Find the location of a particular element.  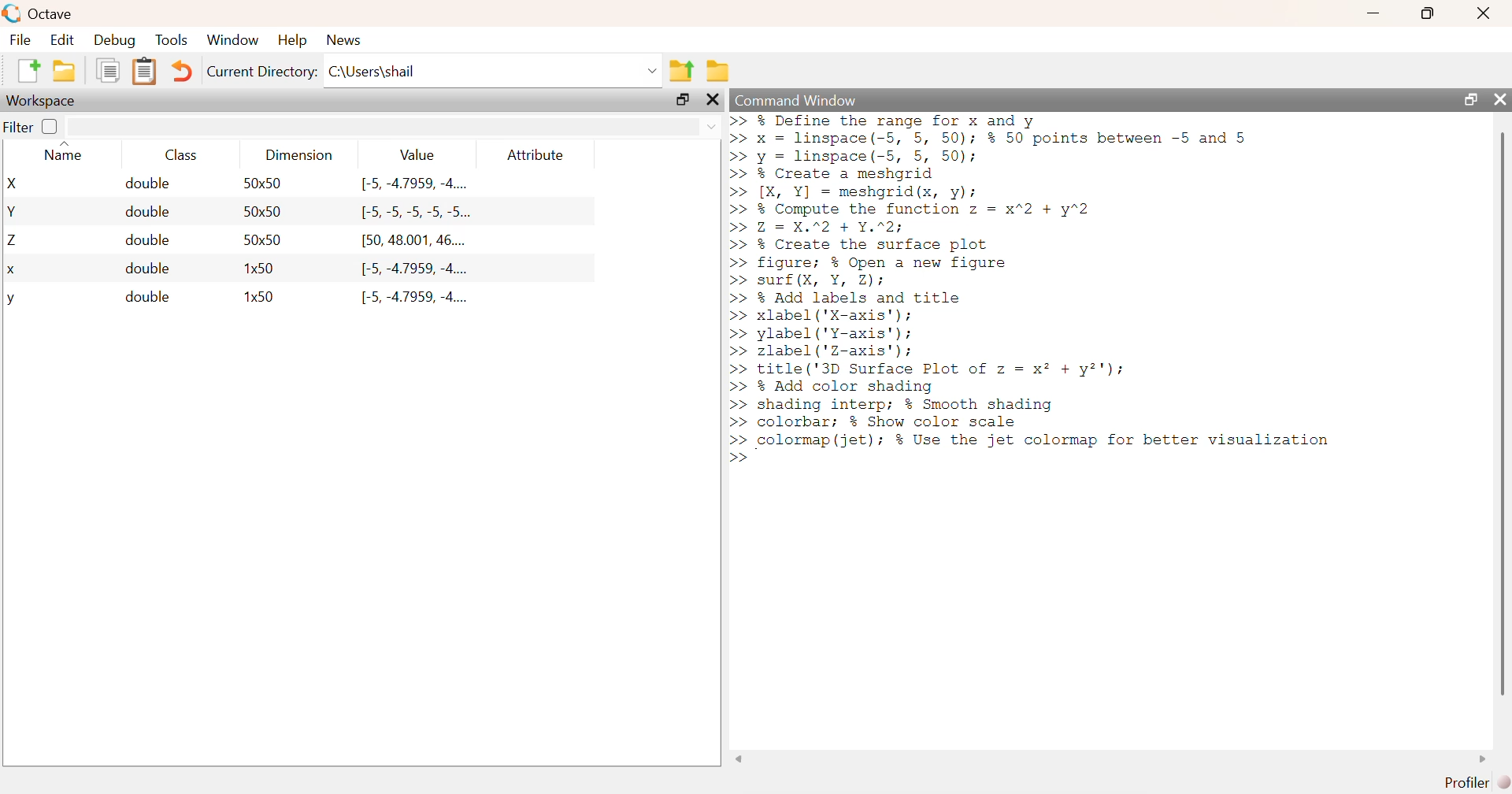

maximize is located at coordinates (1429, 13).